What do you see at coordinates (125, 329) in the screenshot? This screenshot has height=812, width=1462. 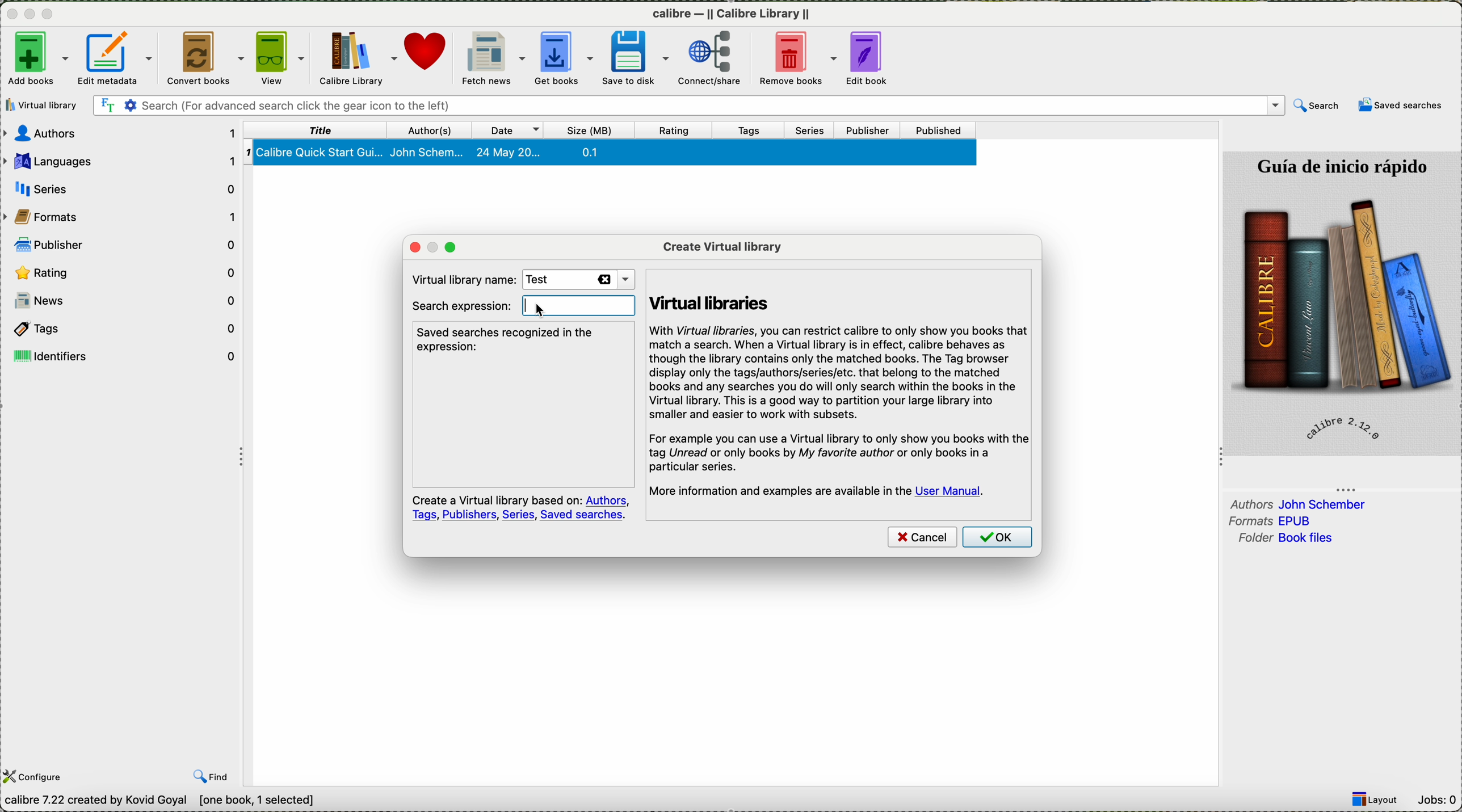 I see `tags` at bounding box center [125, 329].